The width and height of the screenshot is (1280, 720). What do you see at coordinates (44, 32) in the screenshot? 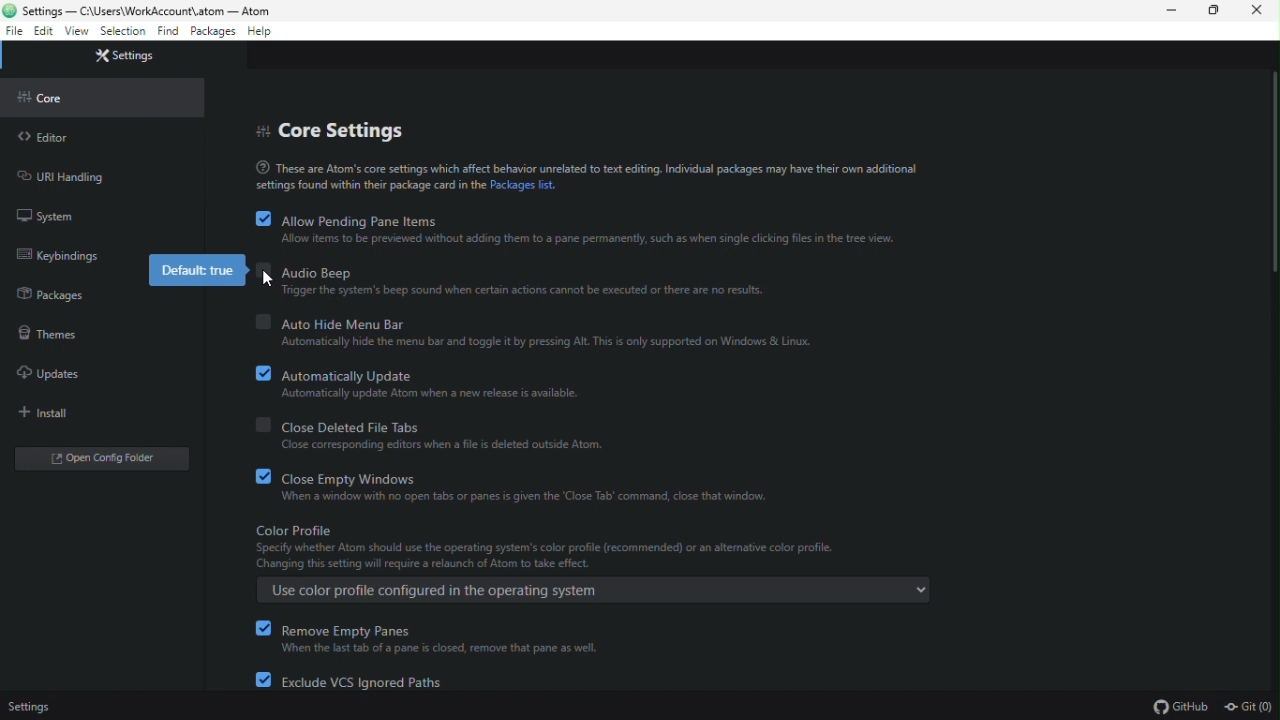
I see `edit` at bounding box center [44, 32].